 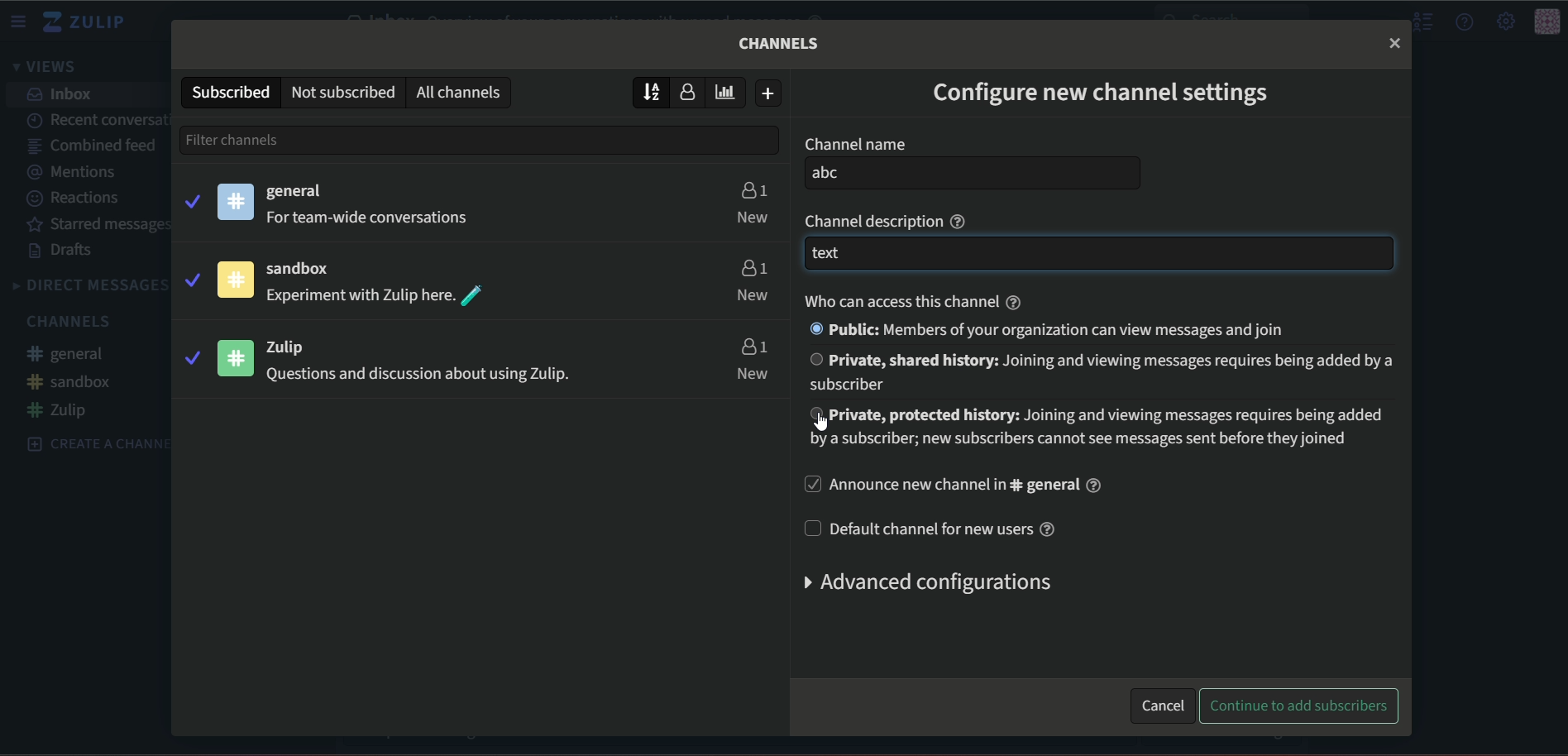 I want to click on #general, so click(x=74, y=356).